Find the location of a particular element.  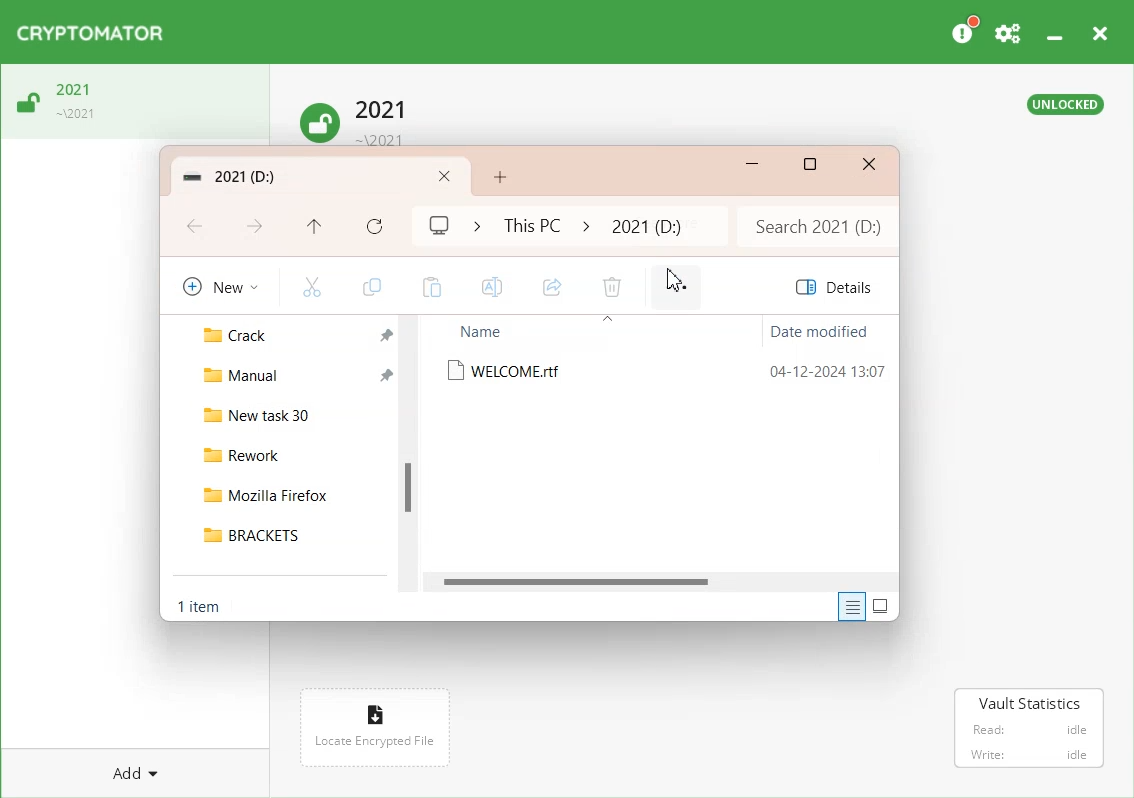

Folder is located at coordinates (287, 180).